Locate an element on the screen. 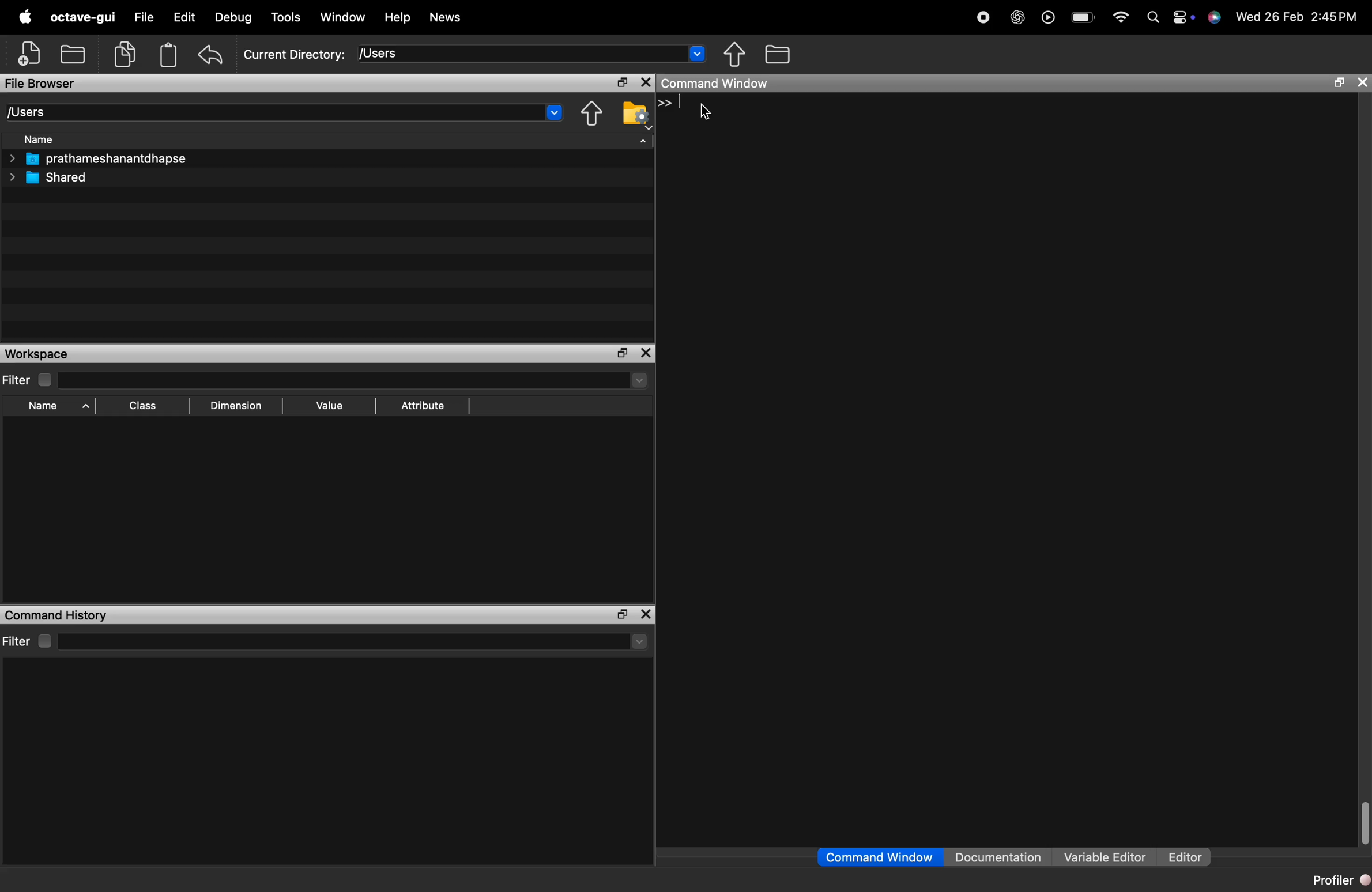  Variable Editor is located at coordinates (1099, 852).